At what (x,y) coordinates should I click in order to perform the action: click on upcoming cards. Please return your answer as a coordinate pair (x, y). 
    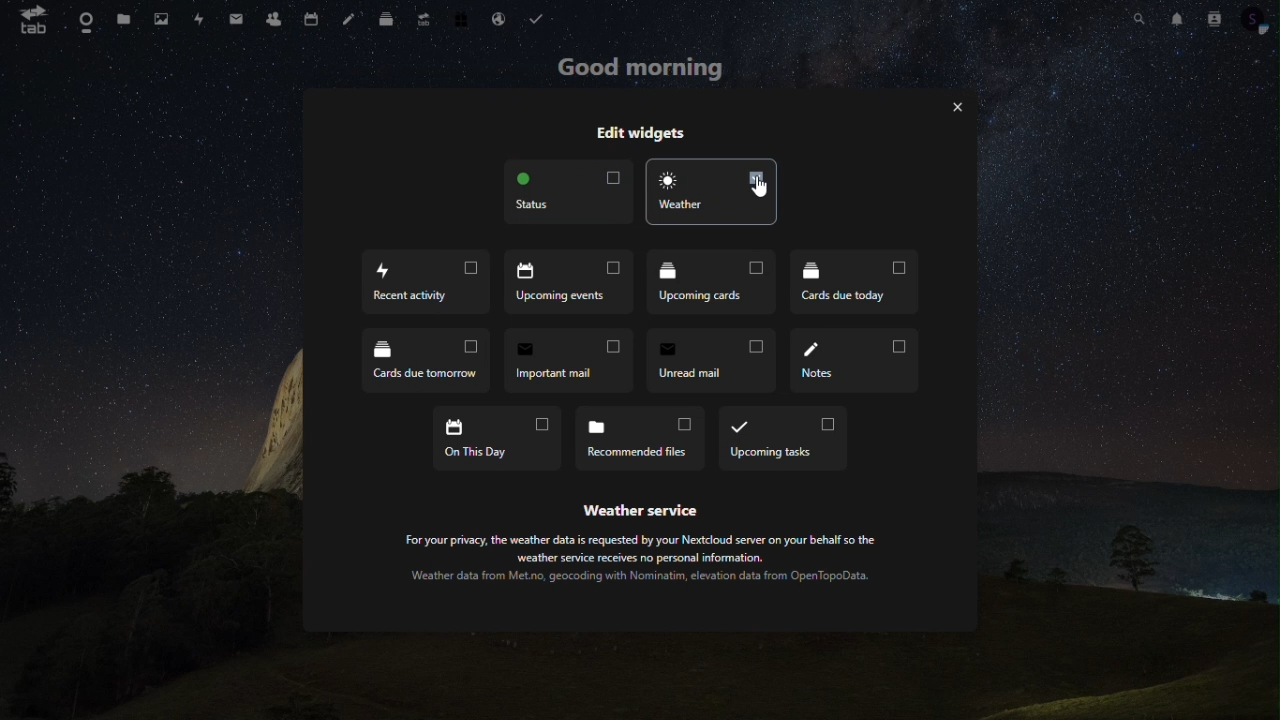
    Looking at the image, I should click on (716, 283).